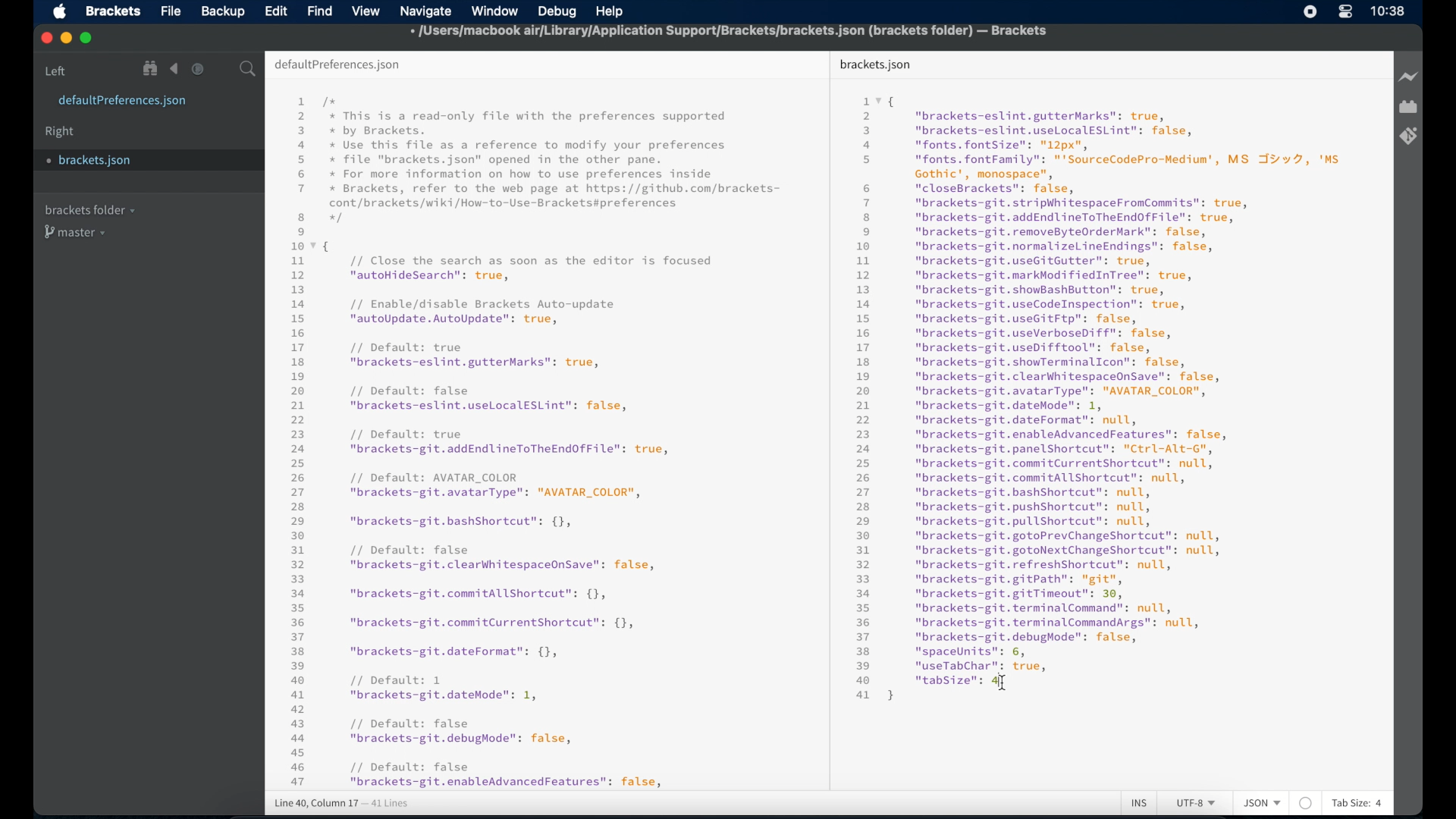 The width and height of the screenshot is (1456, 819). Describe the element at coordinates (1345, 11) in the screenshot. I see `control center` at that location.